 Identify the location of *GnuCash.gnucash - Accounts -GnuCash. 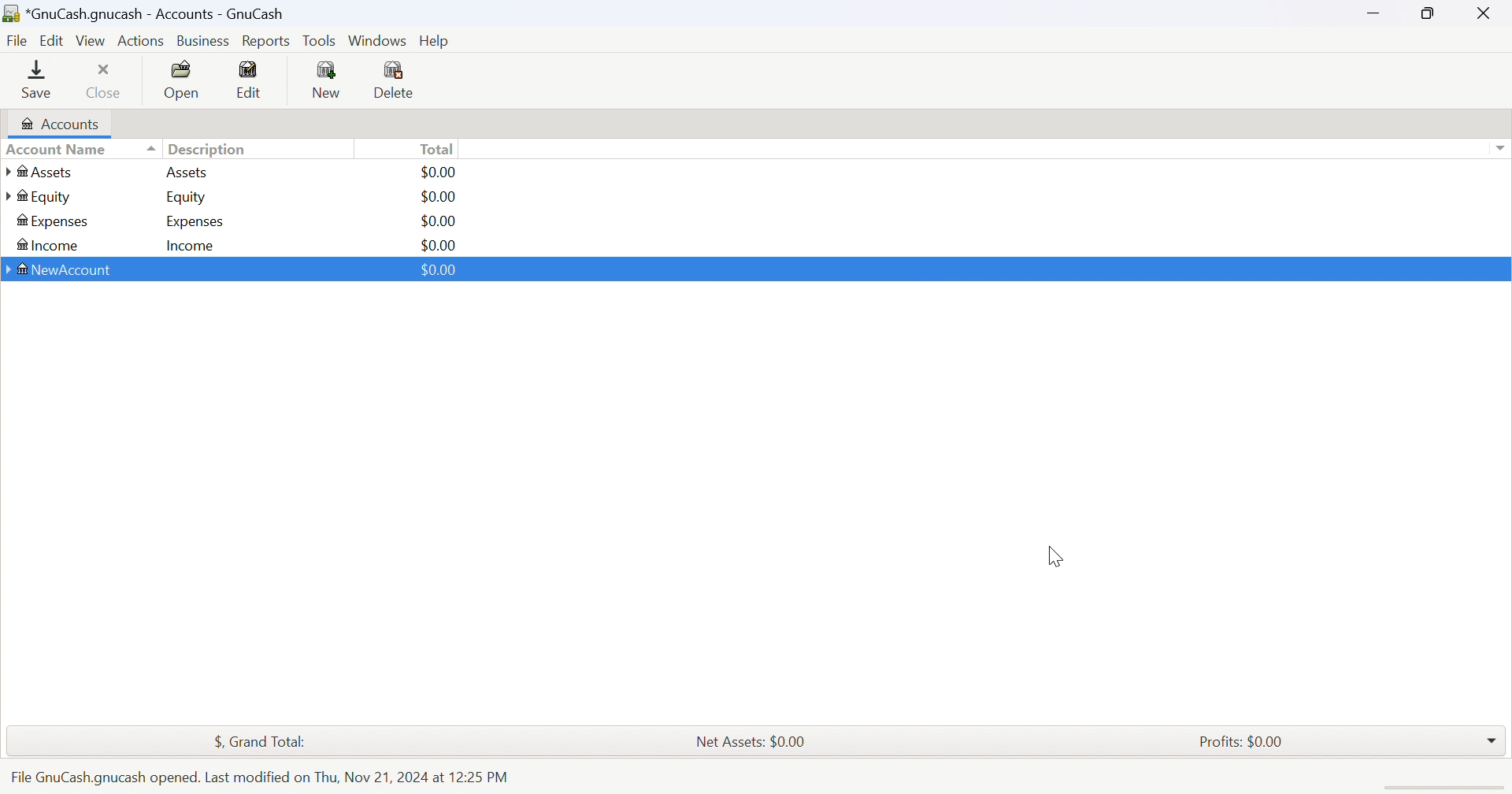
(148, 14).